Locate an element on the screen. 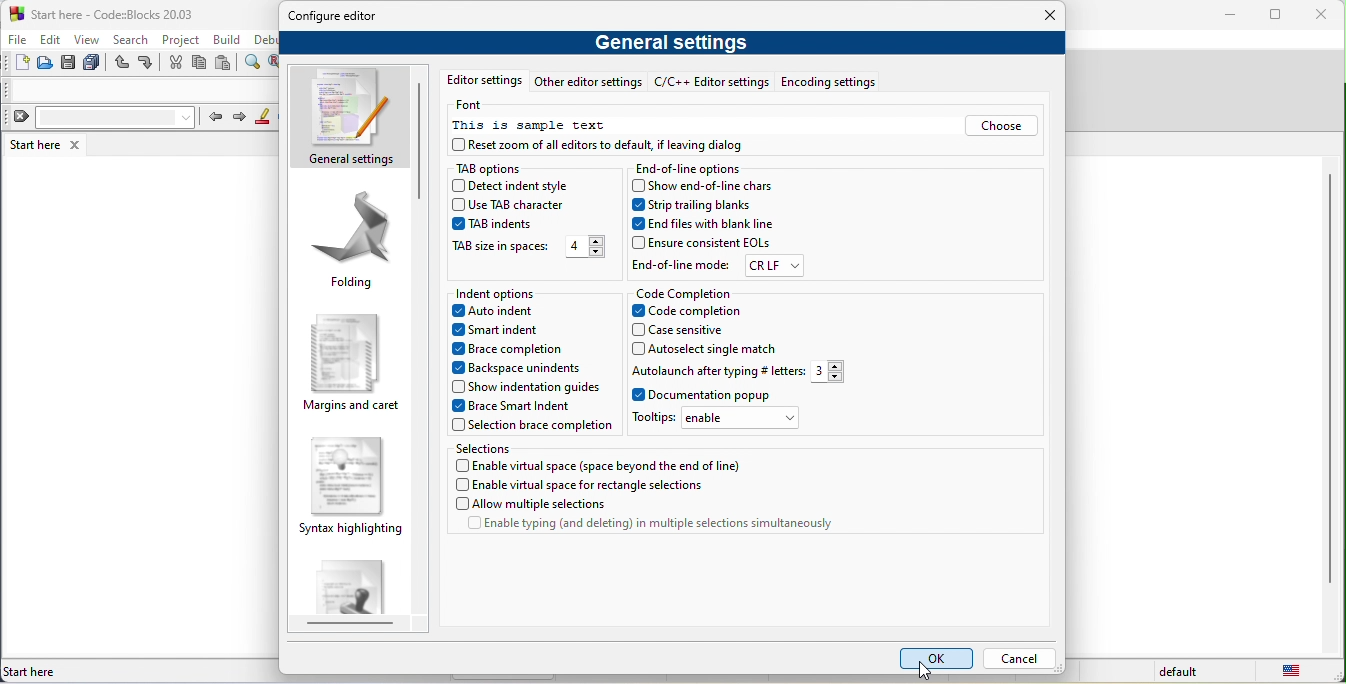  encoding setting is located at coordinates (827, 81).